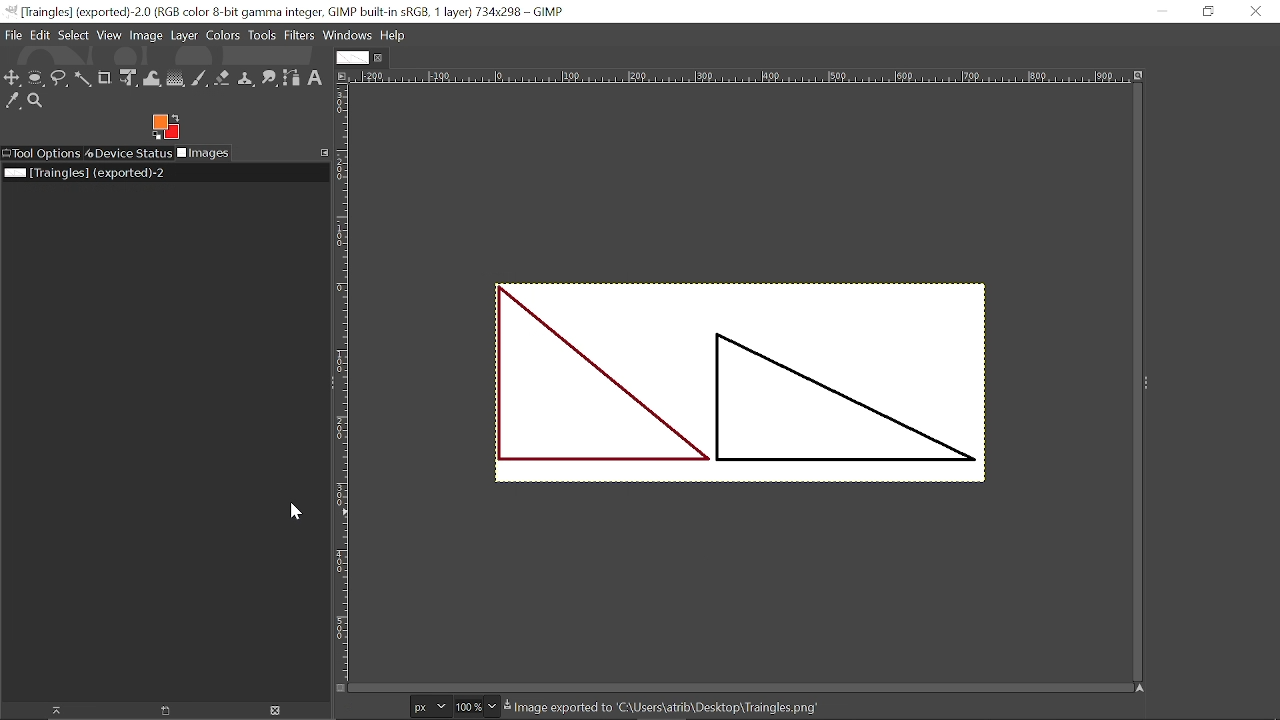  I want to click on Configure this tab, so click(322, 152).